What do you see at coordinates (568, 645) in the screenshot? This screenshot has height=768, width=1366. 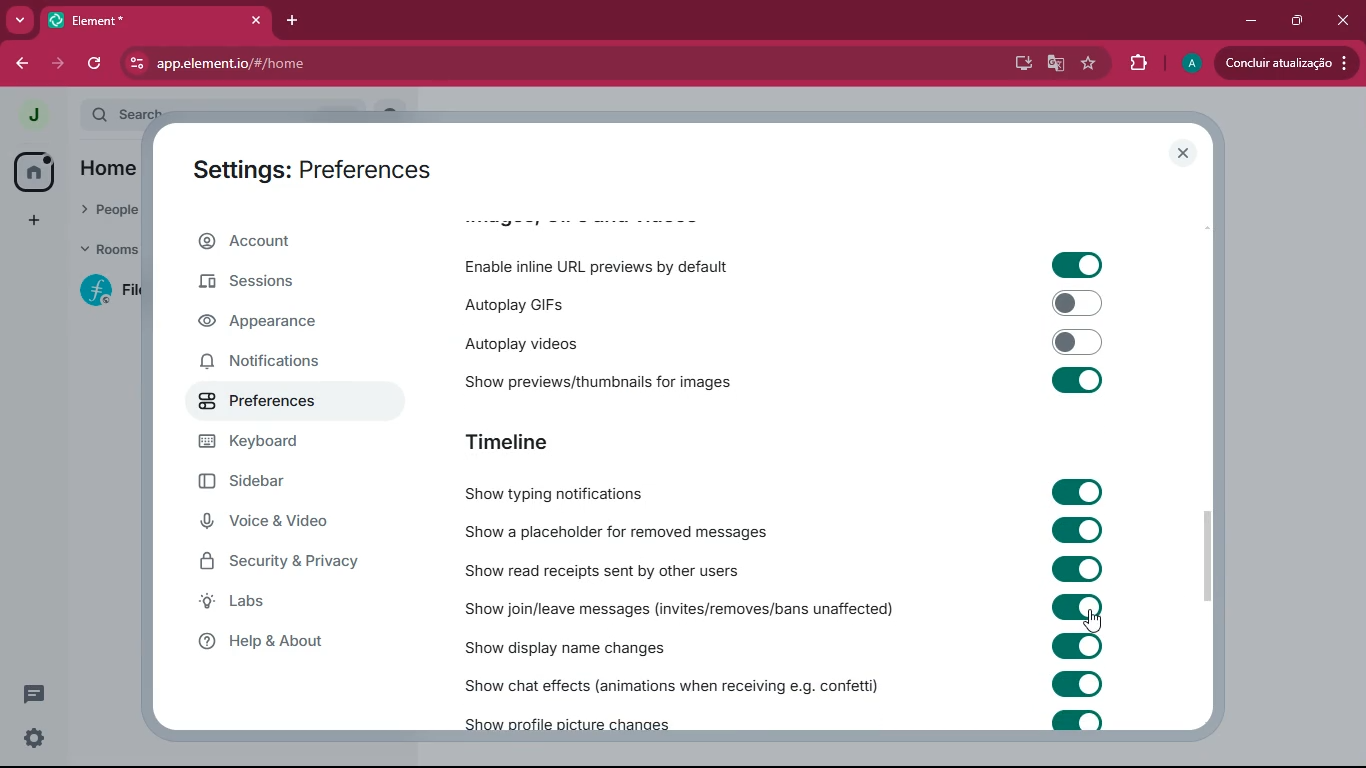 I see `show display name changes` at bounding box center [568, 645].